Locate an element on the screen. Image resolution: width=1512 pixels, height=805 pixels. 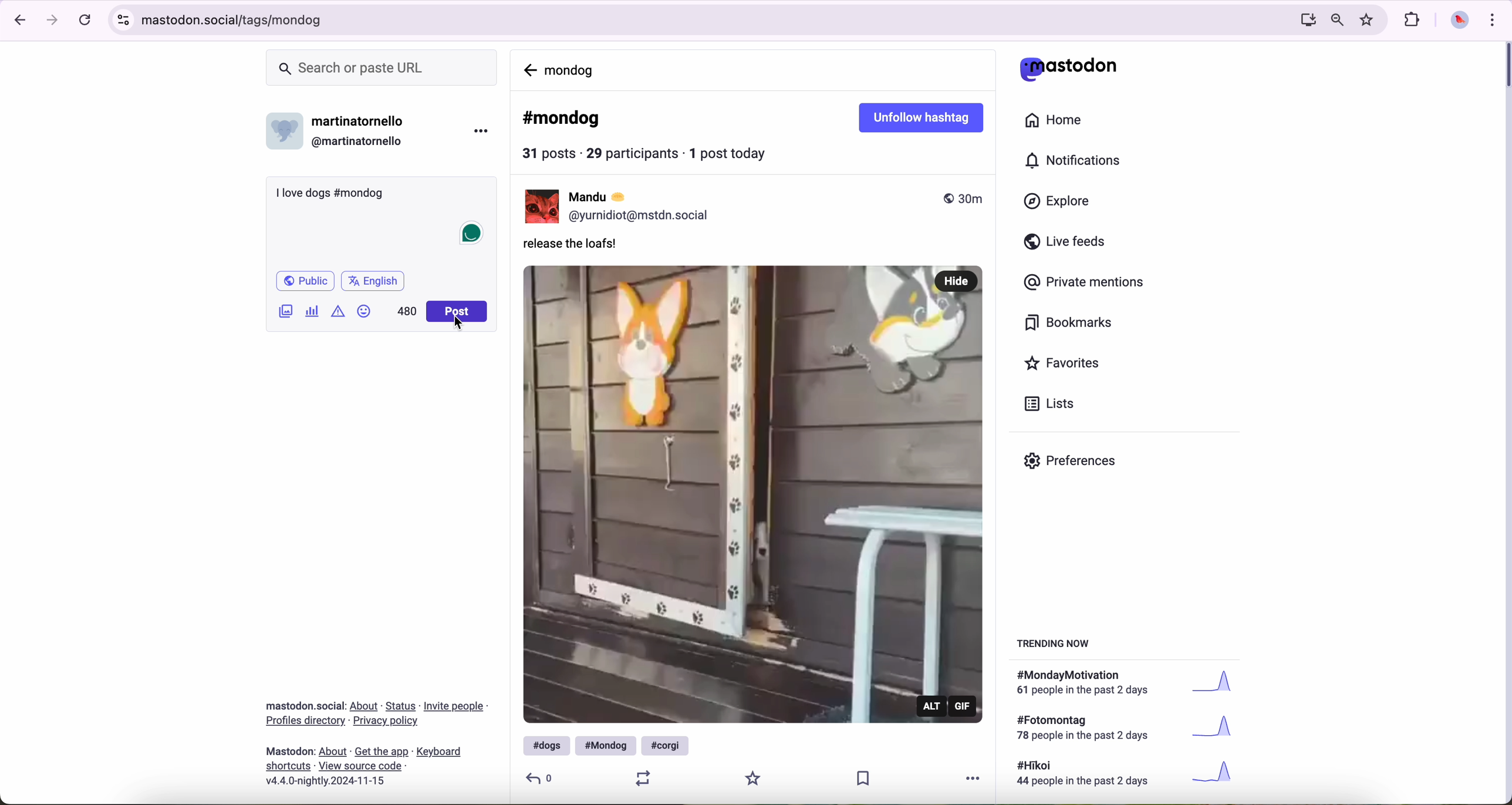
lists is located at coordinates (1054, 404).